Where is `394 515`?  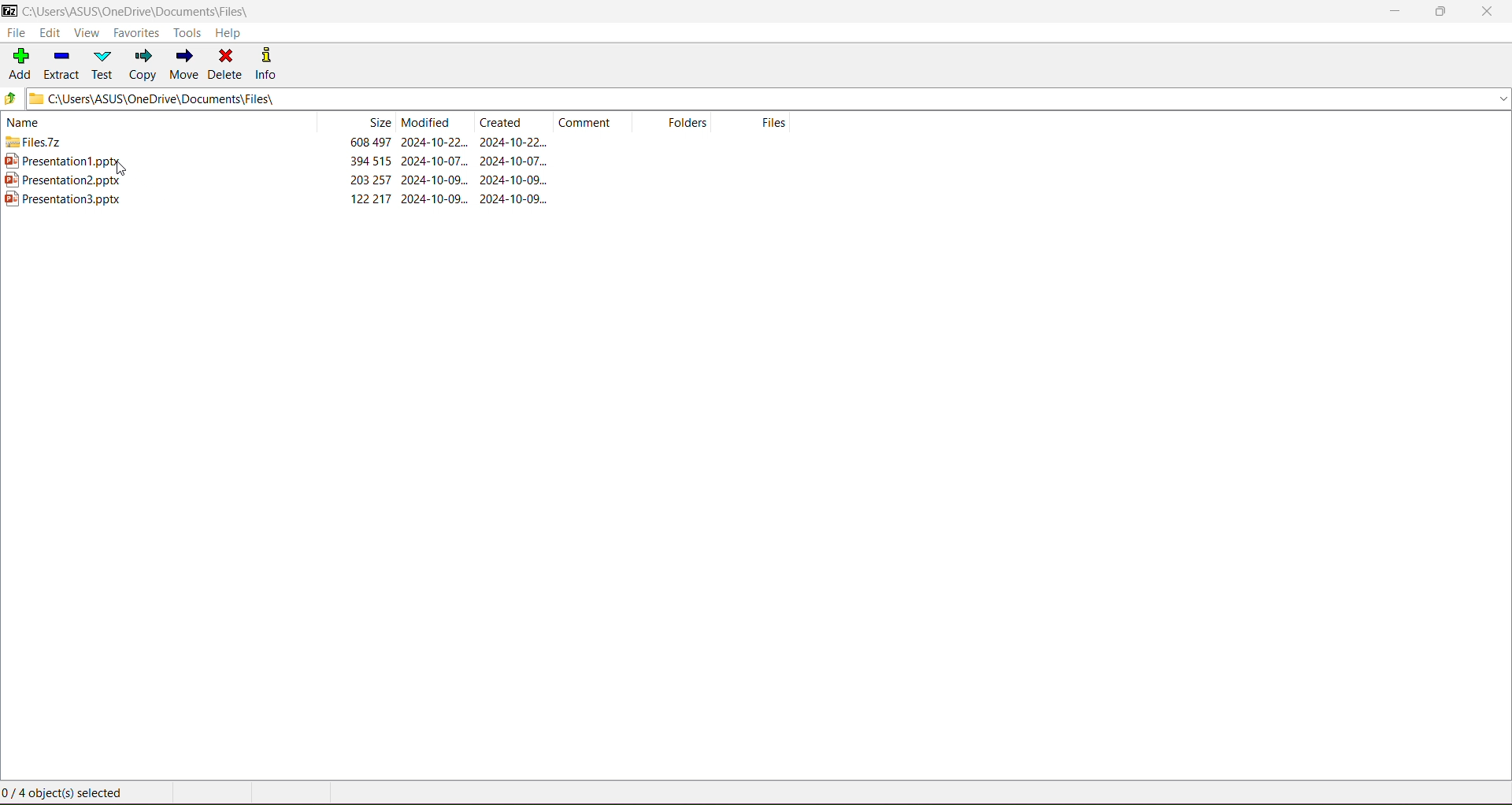
394 515 is located at coordinates (371, 161).